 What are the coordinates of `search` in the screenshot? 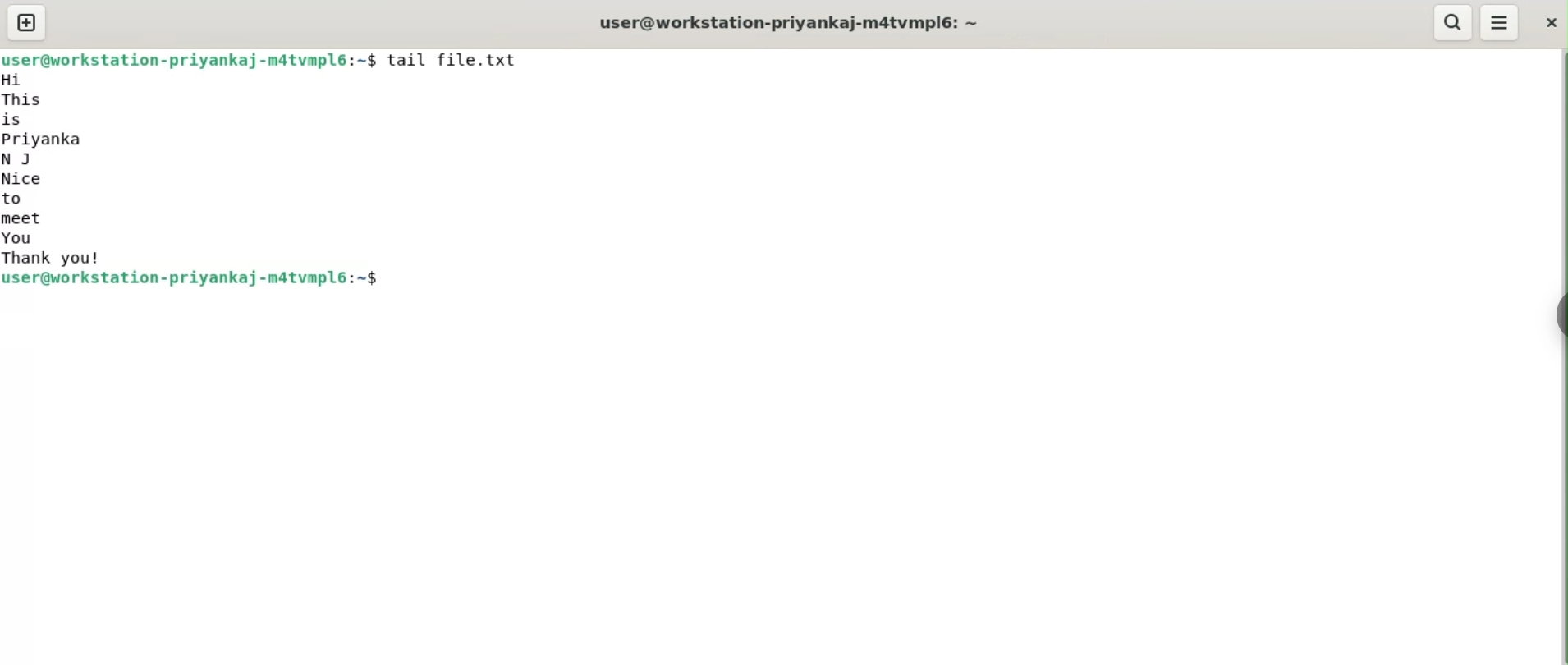 It's located at (1453, 22).